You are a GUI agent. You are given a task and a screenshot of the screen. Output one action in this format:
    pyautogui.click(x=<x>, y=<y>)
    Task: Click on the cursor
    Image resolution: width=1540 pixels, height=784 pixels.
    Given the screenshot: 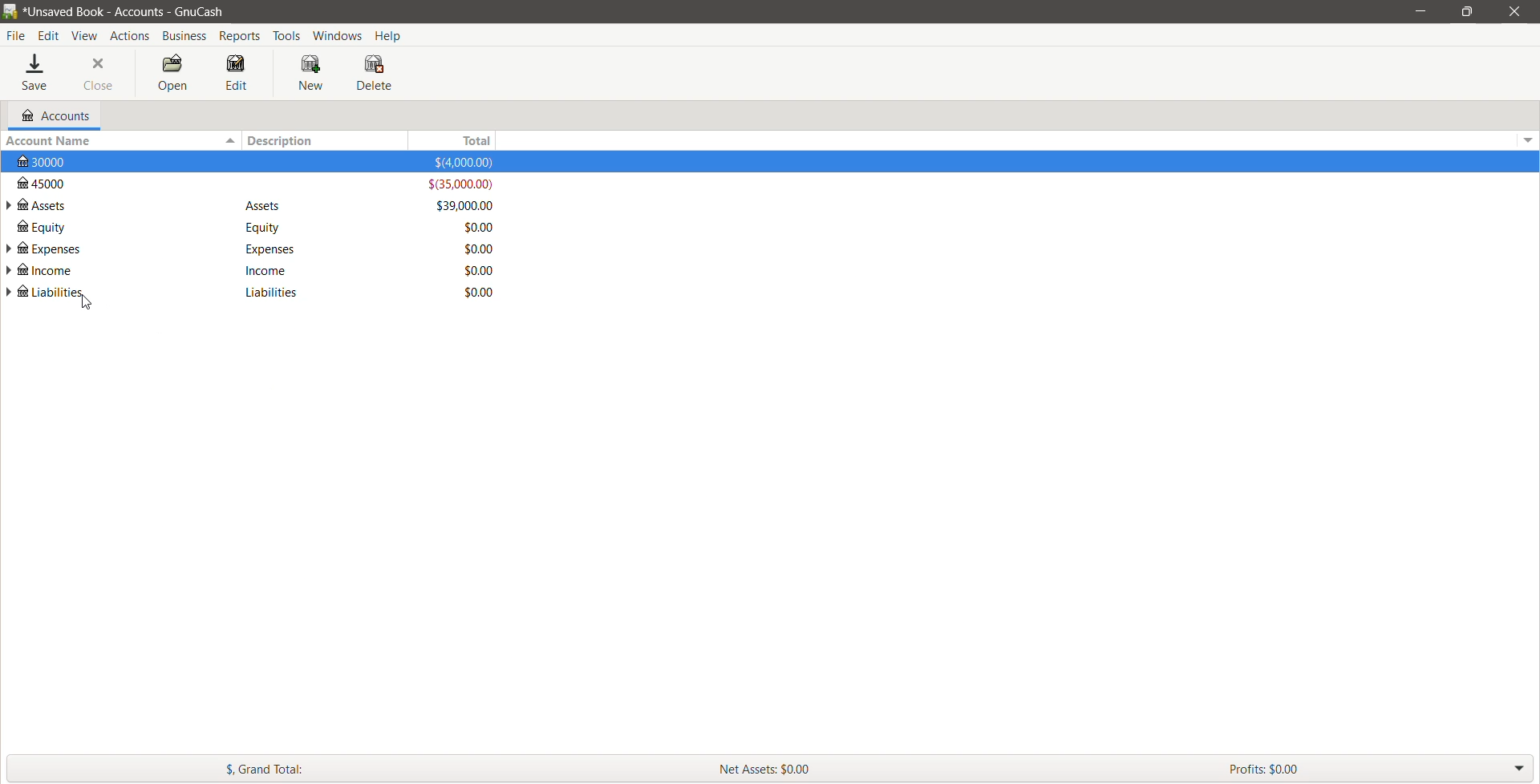 What is the action you would take?
    pyautogui.click(x=85, y=305)
    